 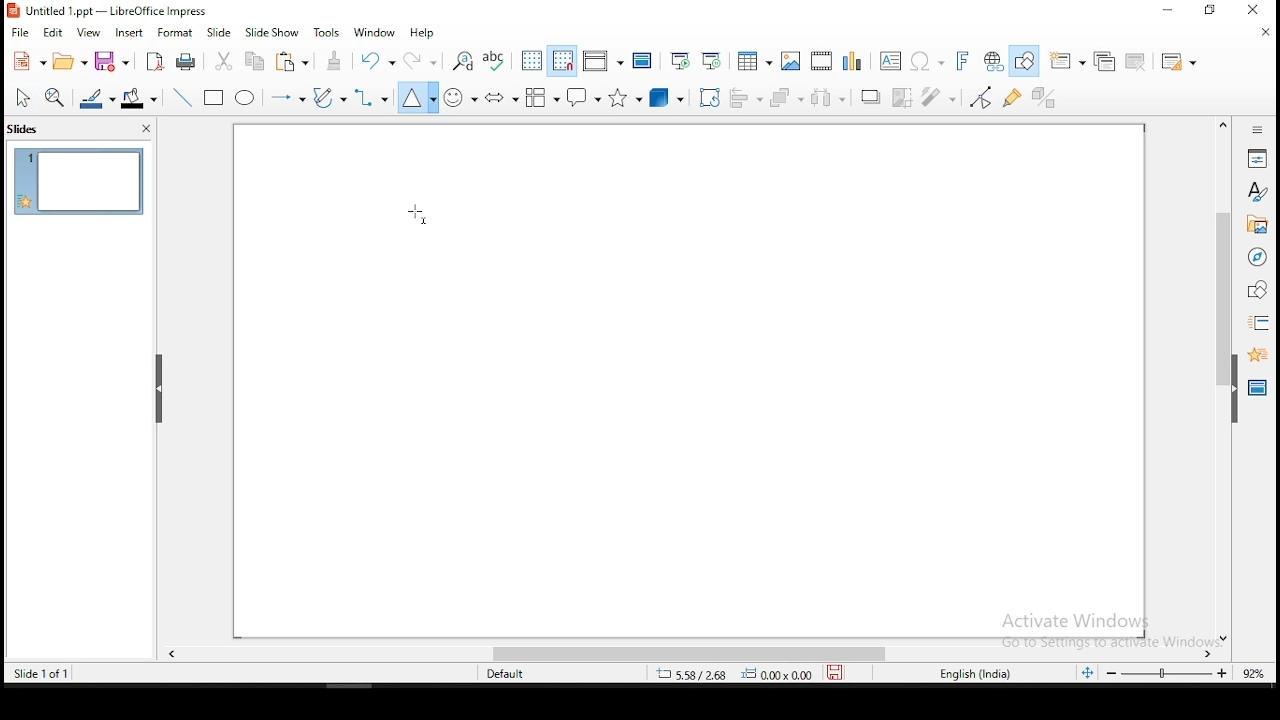 What do you see at coordinates (1213, 11) in the screenshot?
I see `maximize` at bounding box center [1213, 11].